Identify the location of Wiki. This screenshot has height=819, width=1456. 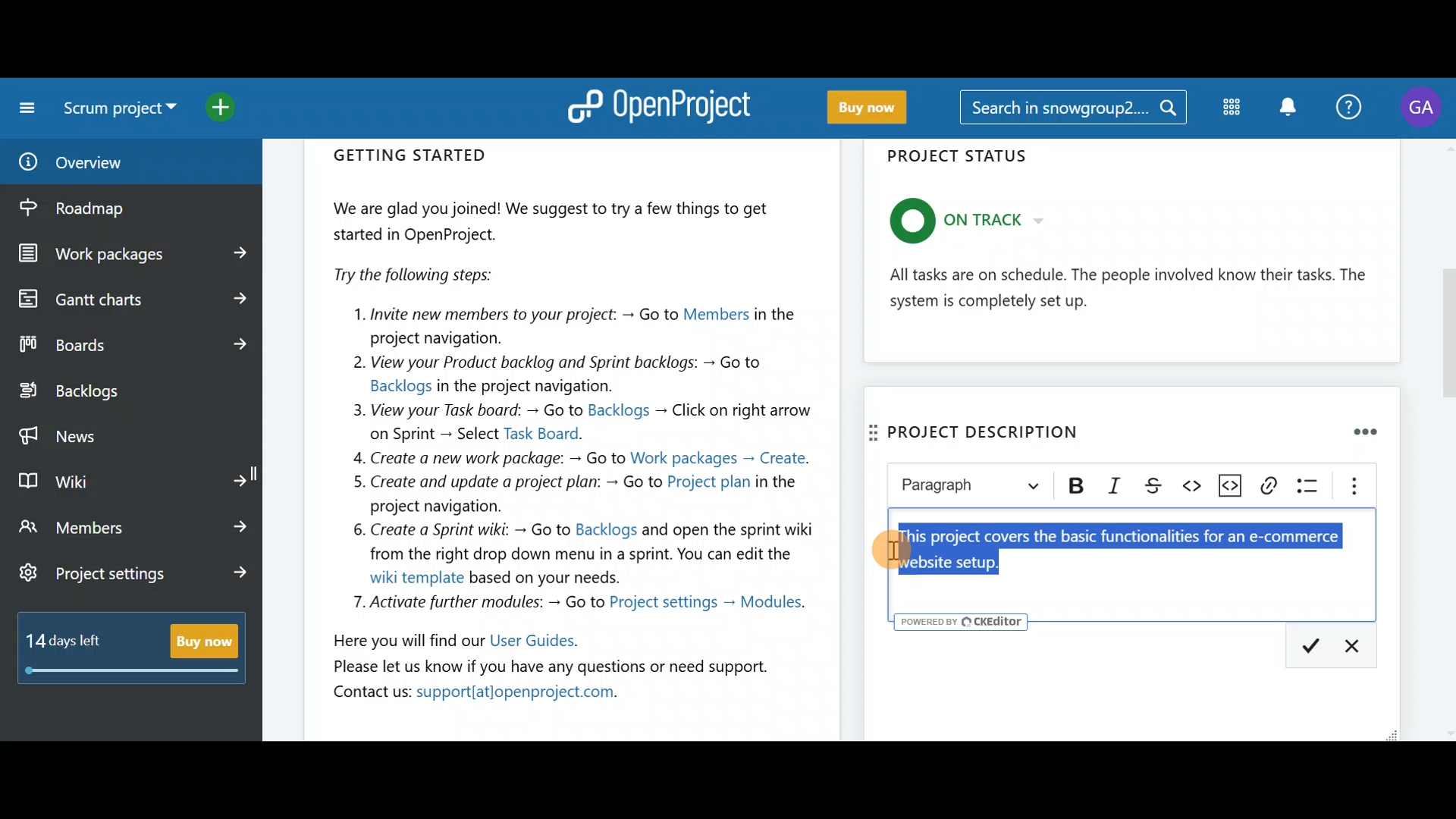
(131, 478).